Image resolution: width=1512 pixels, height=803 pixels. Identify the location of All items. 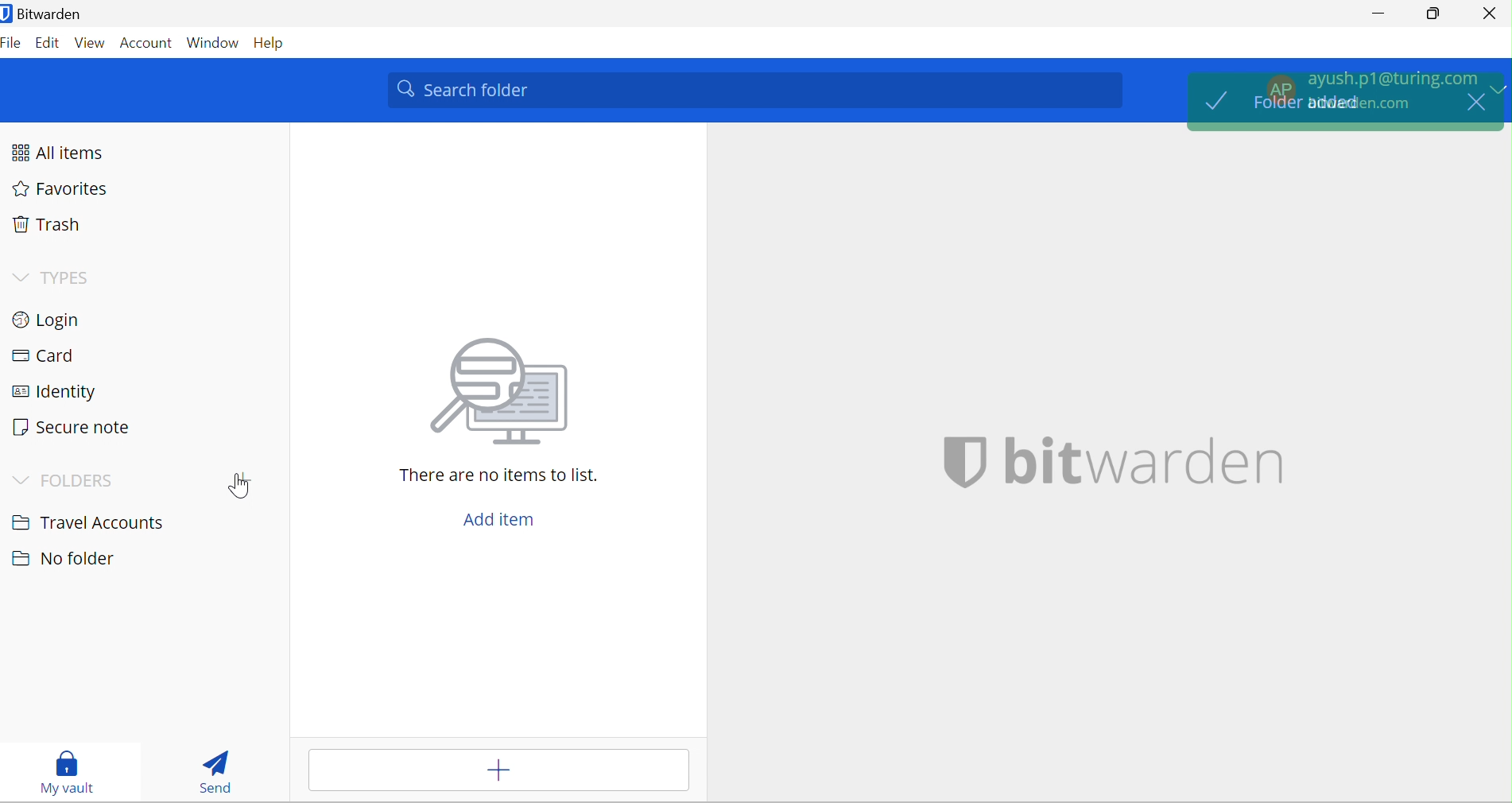
(66, 151).